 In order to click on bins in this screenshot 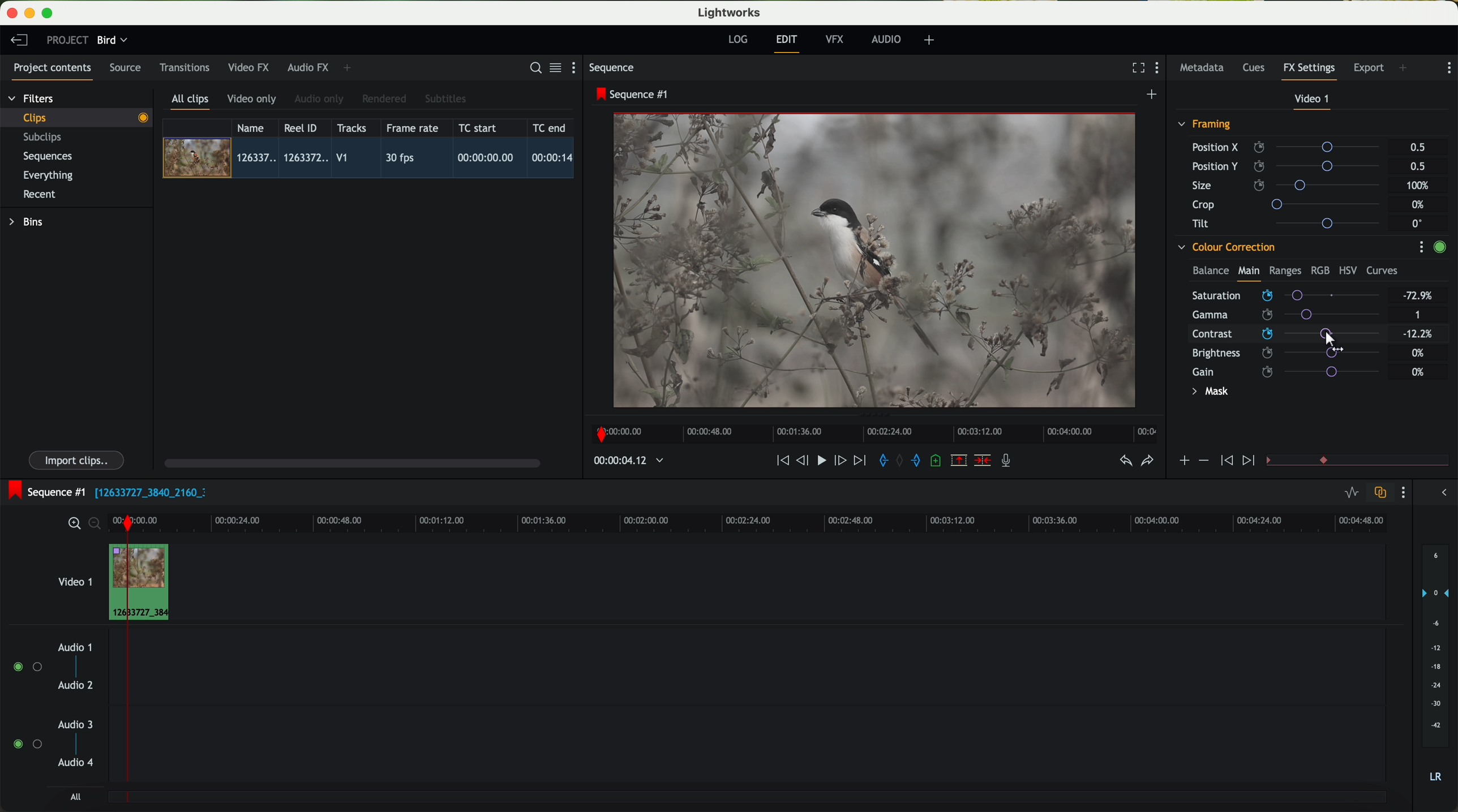, I will do `click(28, 222)`.